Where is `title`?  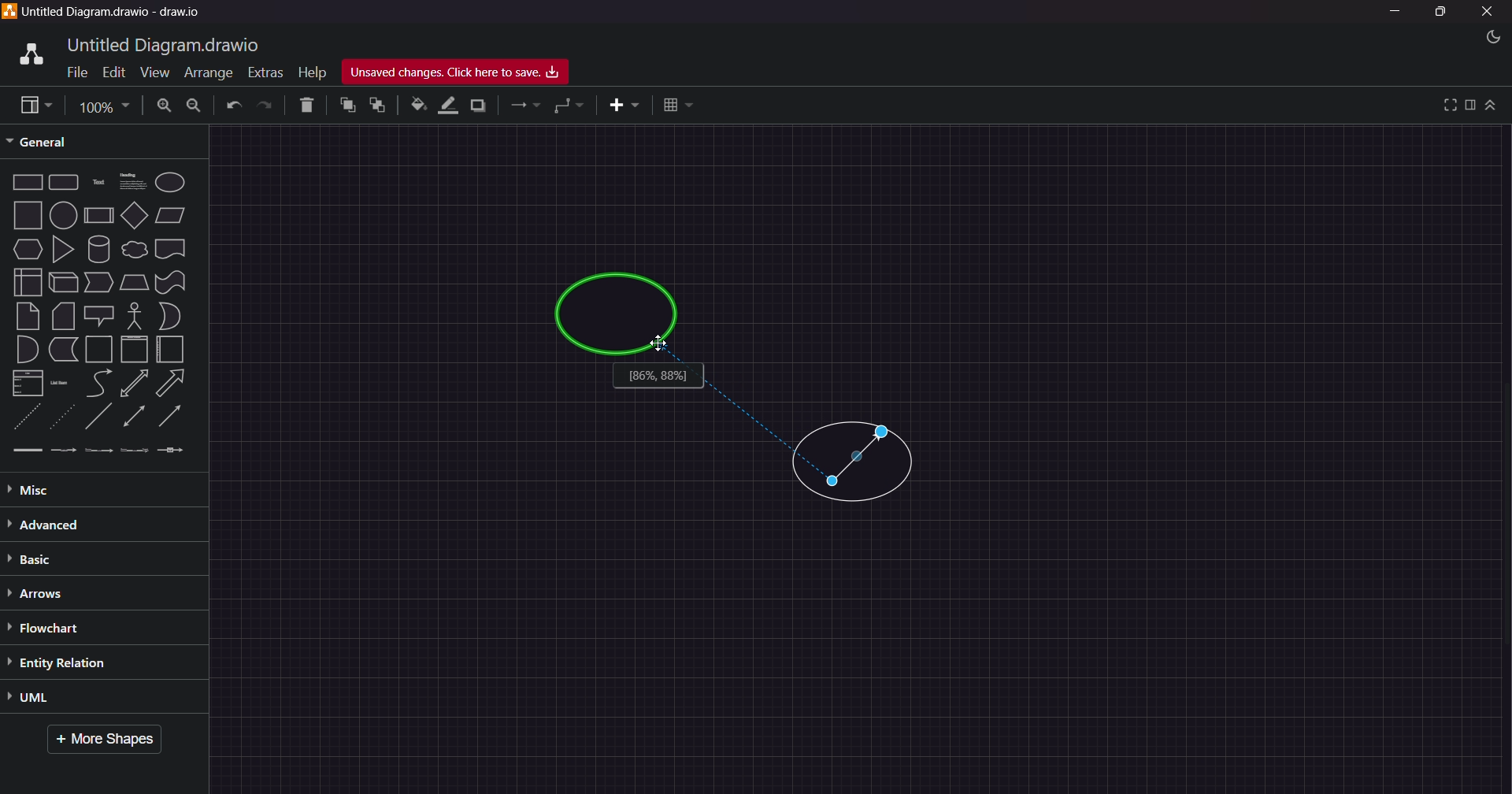 title is located at coordinates (166, 43).